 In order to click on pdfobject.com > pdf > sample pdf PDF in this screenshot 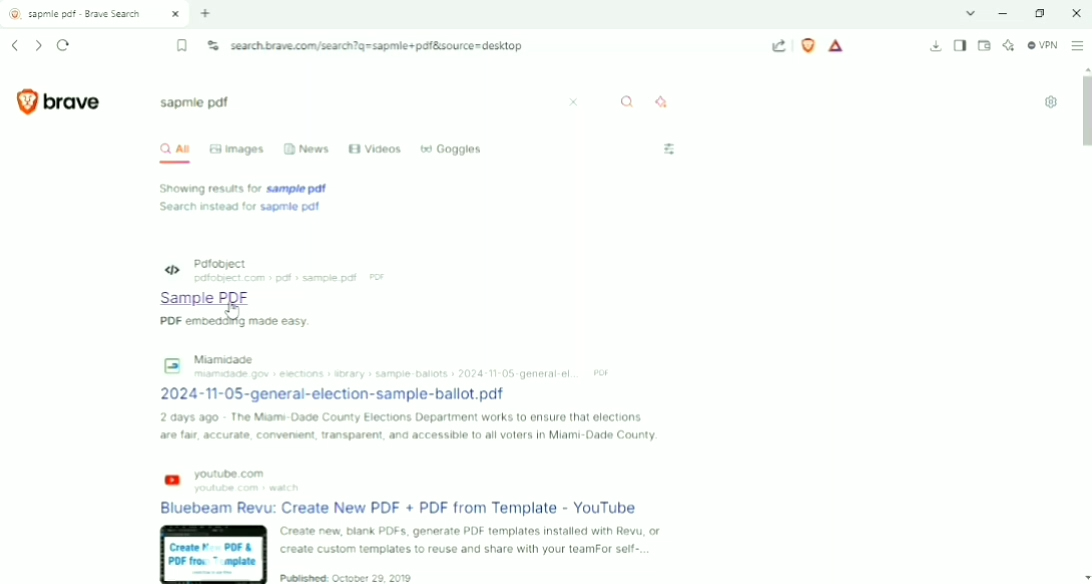, I will do `click(294, 278)`.